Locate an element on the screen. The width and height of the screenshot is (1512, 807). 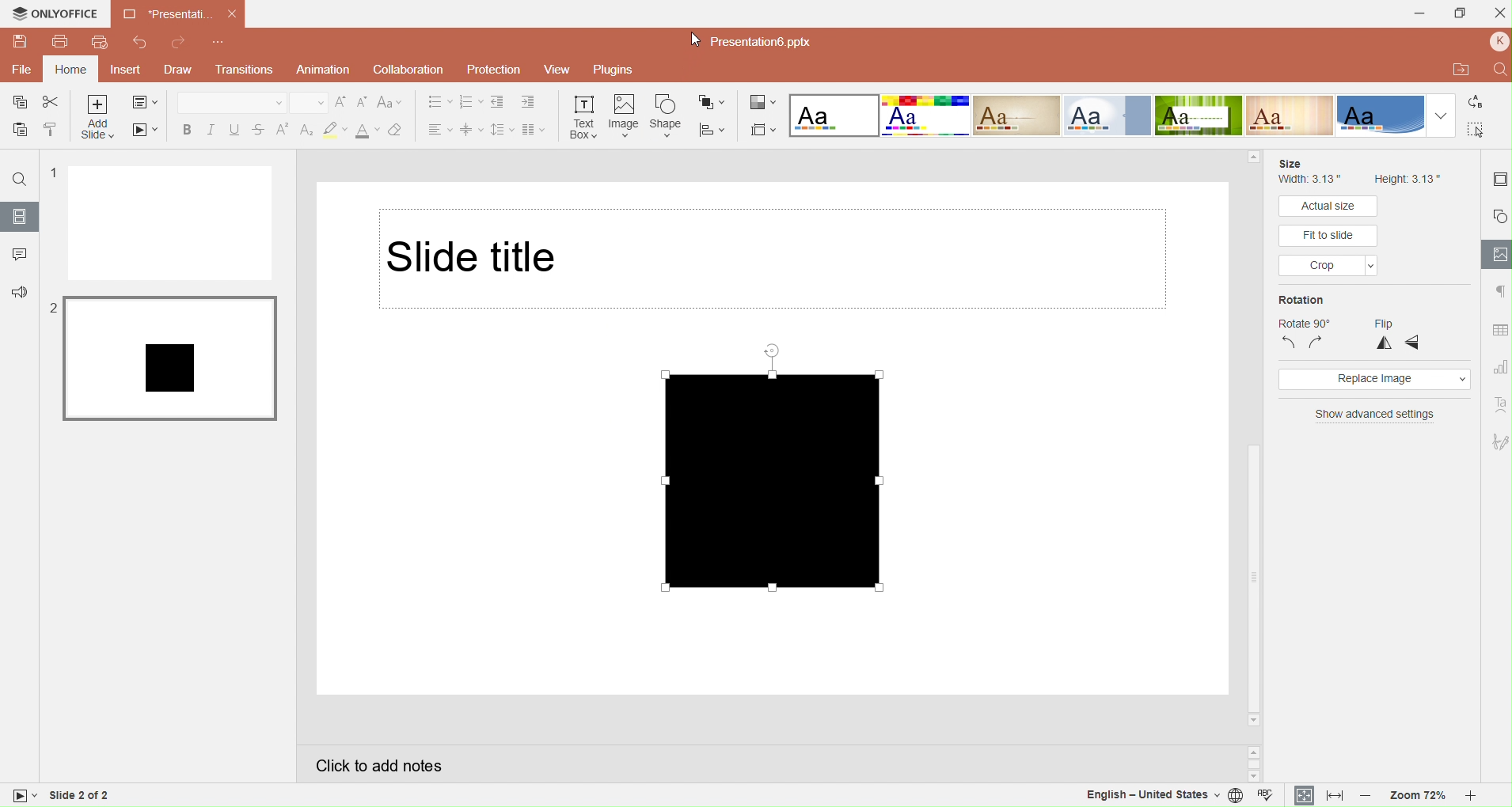
width is located at coordinates (1309, 180).